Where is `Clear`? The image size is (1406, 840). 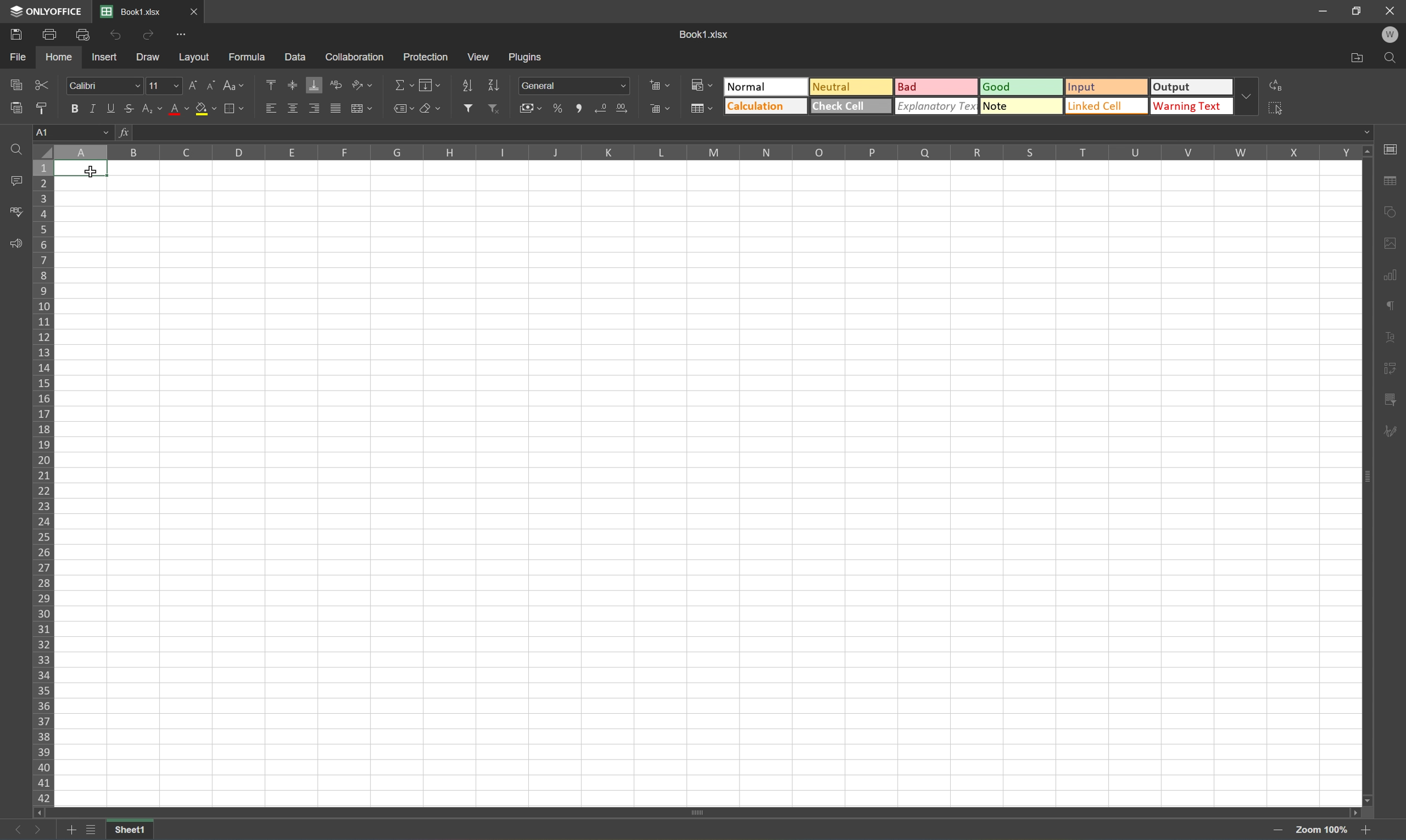
Clear is located at coordinates (433, 107).